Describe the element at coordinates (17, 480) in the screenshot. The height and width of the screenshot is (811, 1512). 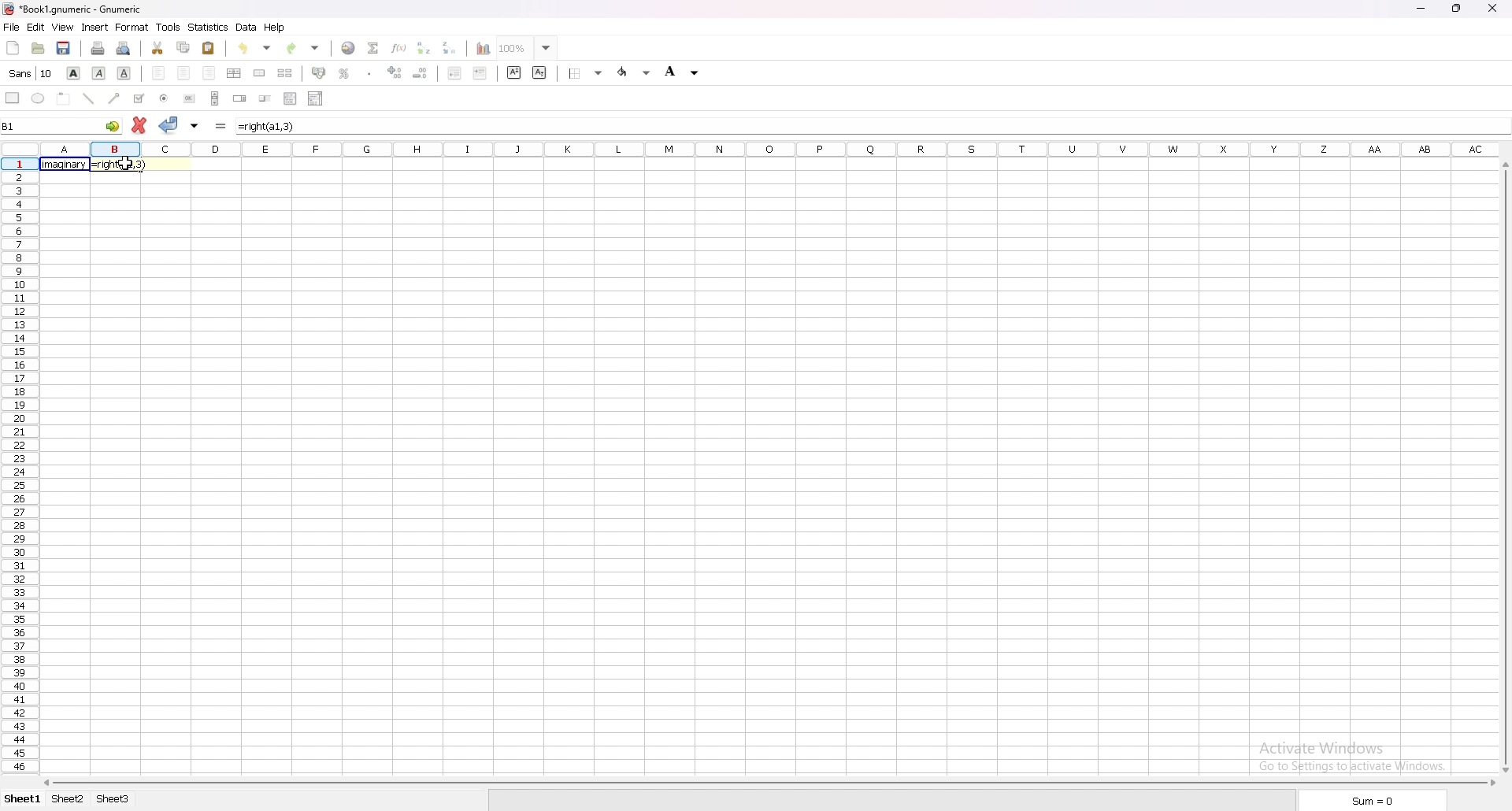
I see `Rows` at that location.